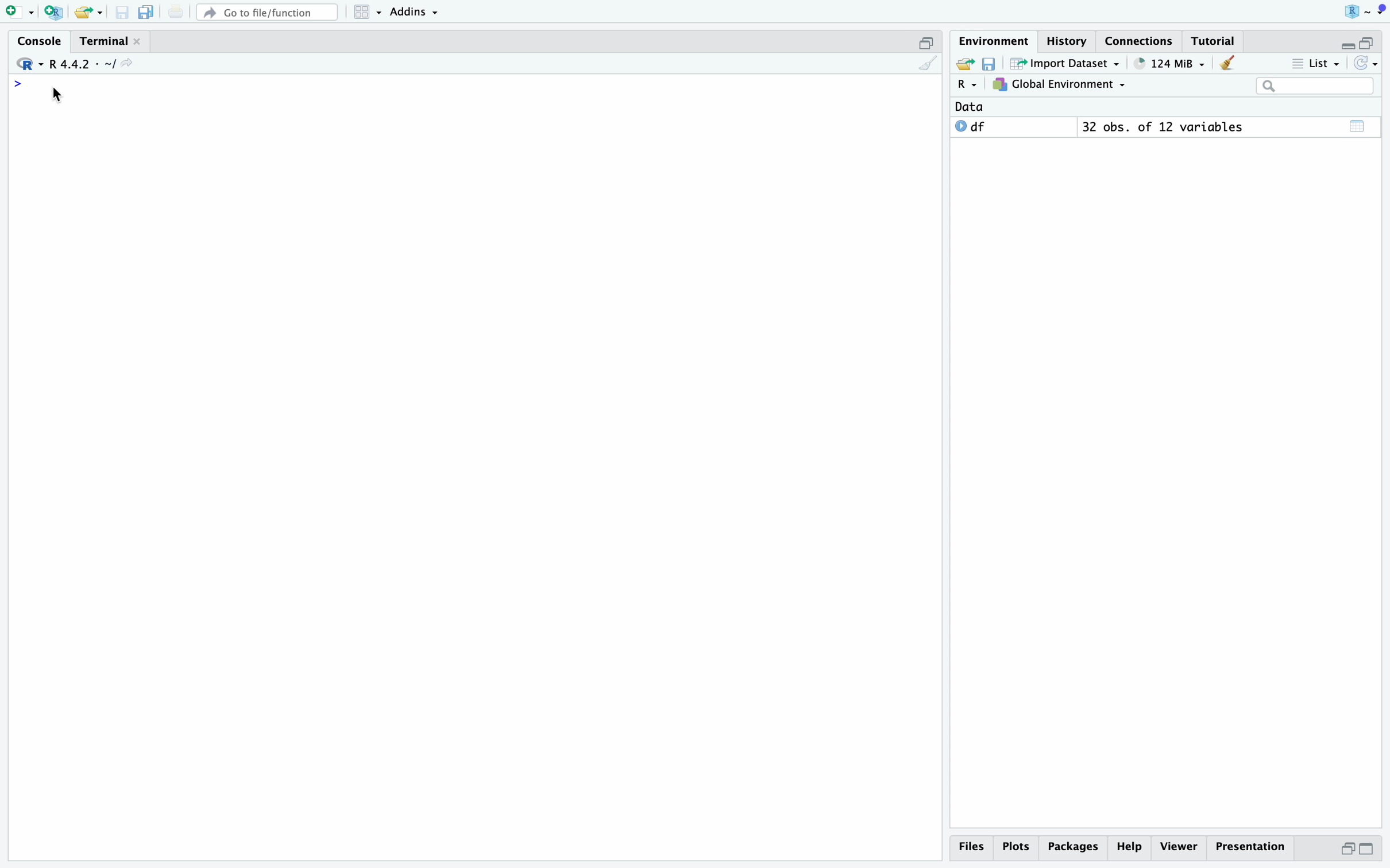 The image size is (1390, 868). What do you see at coordinates (82, 65) in the screenshot?
I see `R 4.4.2 ~/` at bounding box center [82, 65].